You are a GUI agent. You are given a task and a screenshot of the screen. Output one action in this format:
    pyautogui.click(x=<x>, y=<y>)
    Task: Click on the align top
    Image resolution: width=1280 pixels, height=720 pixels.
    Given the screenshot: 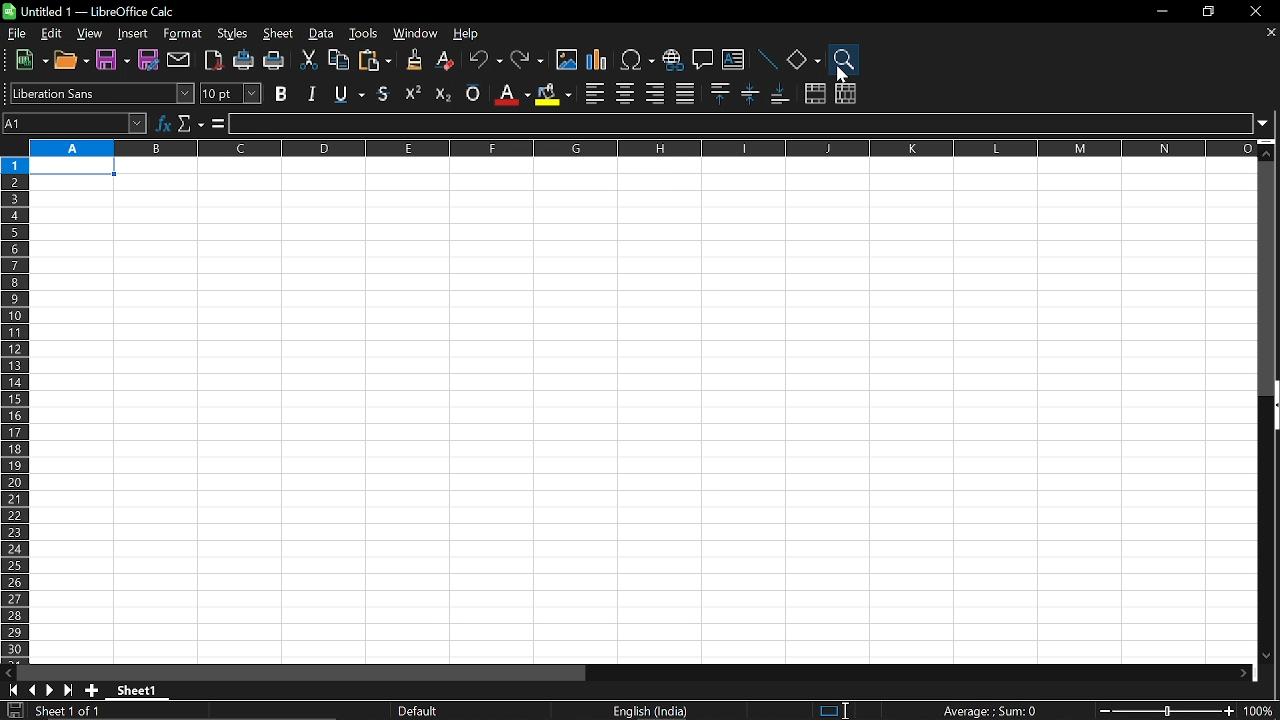 What is the action you would take?
    pyautogui.click(x=718, y=93)
    